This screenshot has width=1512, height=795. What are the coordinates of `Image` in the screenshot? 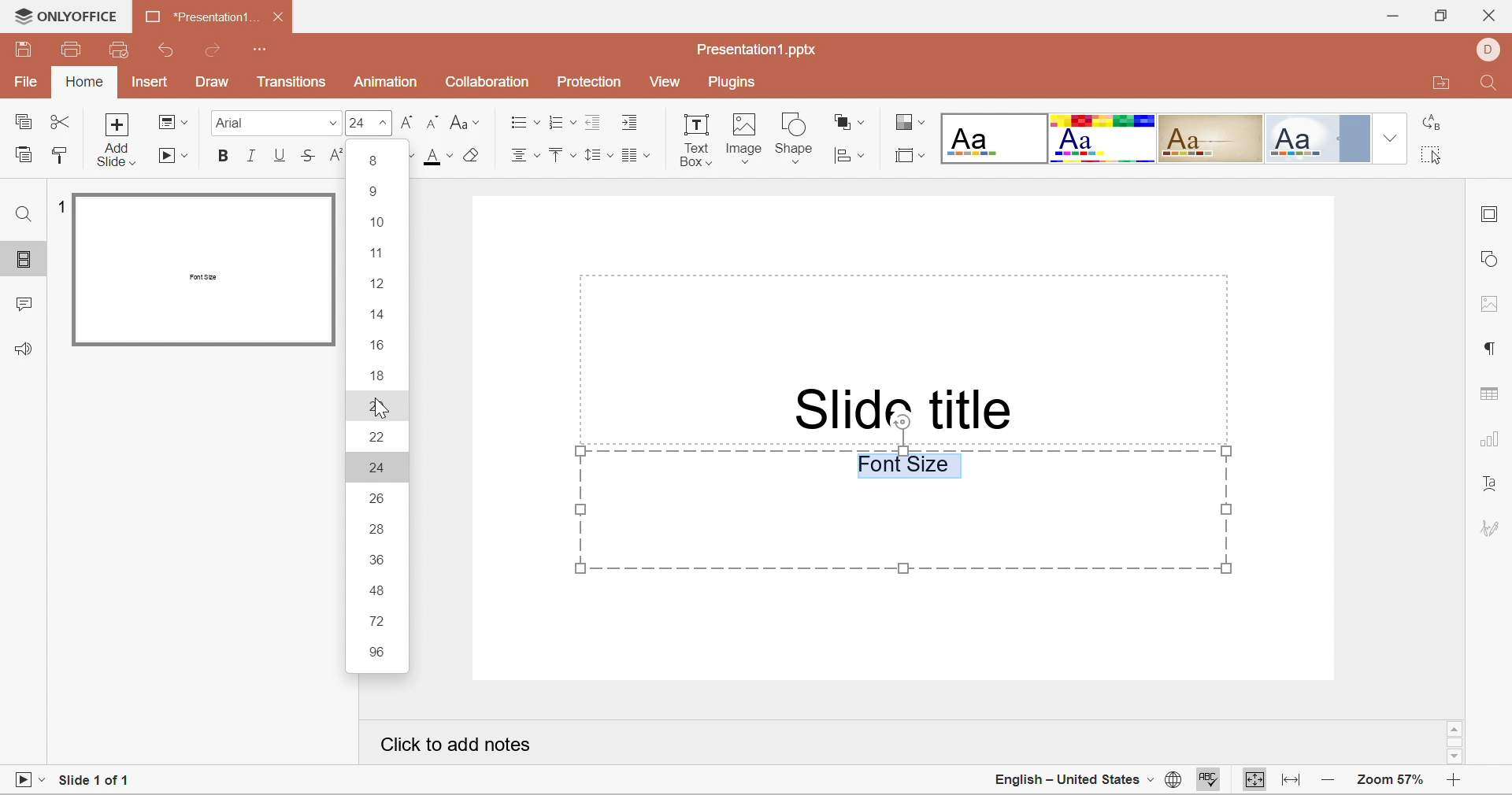 It's located at (746, 138).